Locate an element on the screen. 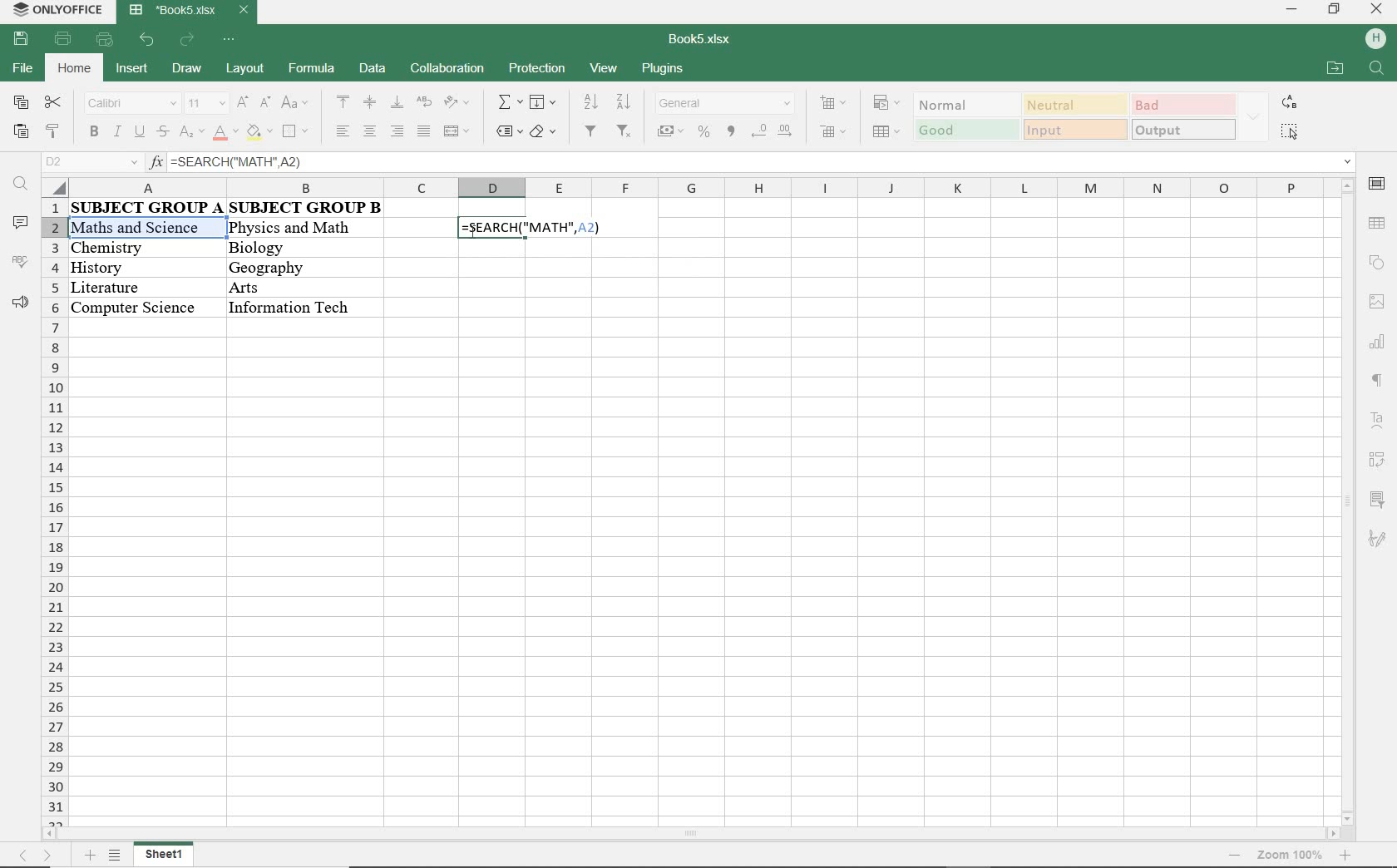  next is located at coordinates (52, 859).